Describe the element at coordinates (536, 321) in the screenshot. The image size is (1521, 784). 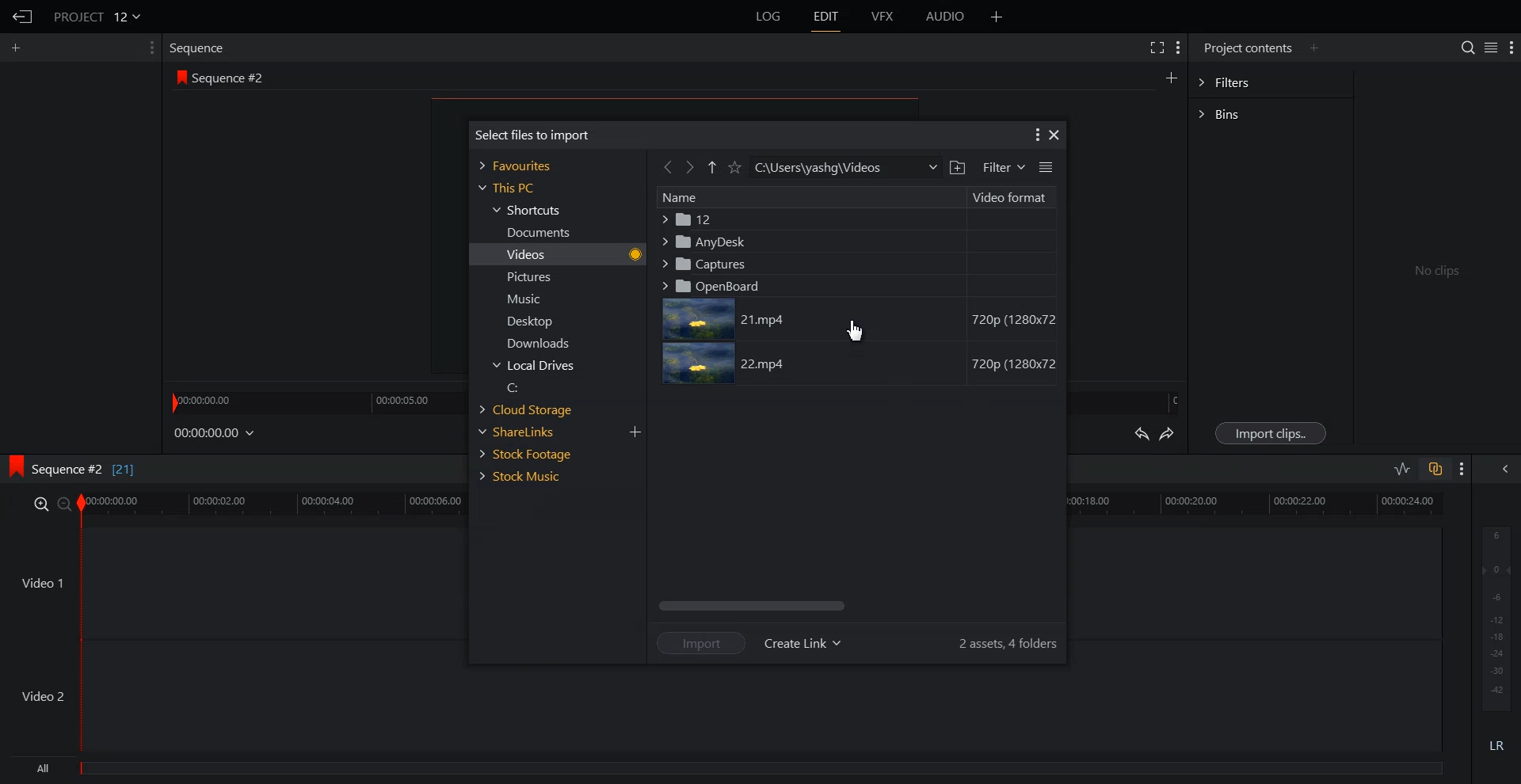
I see `Desktop` at that location.